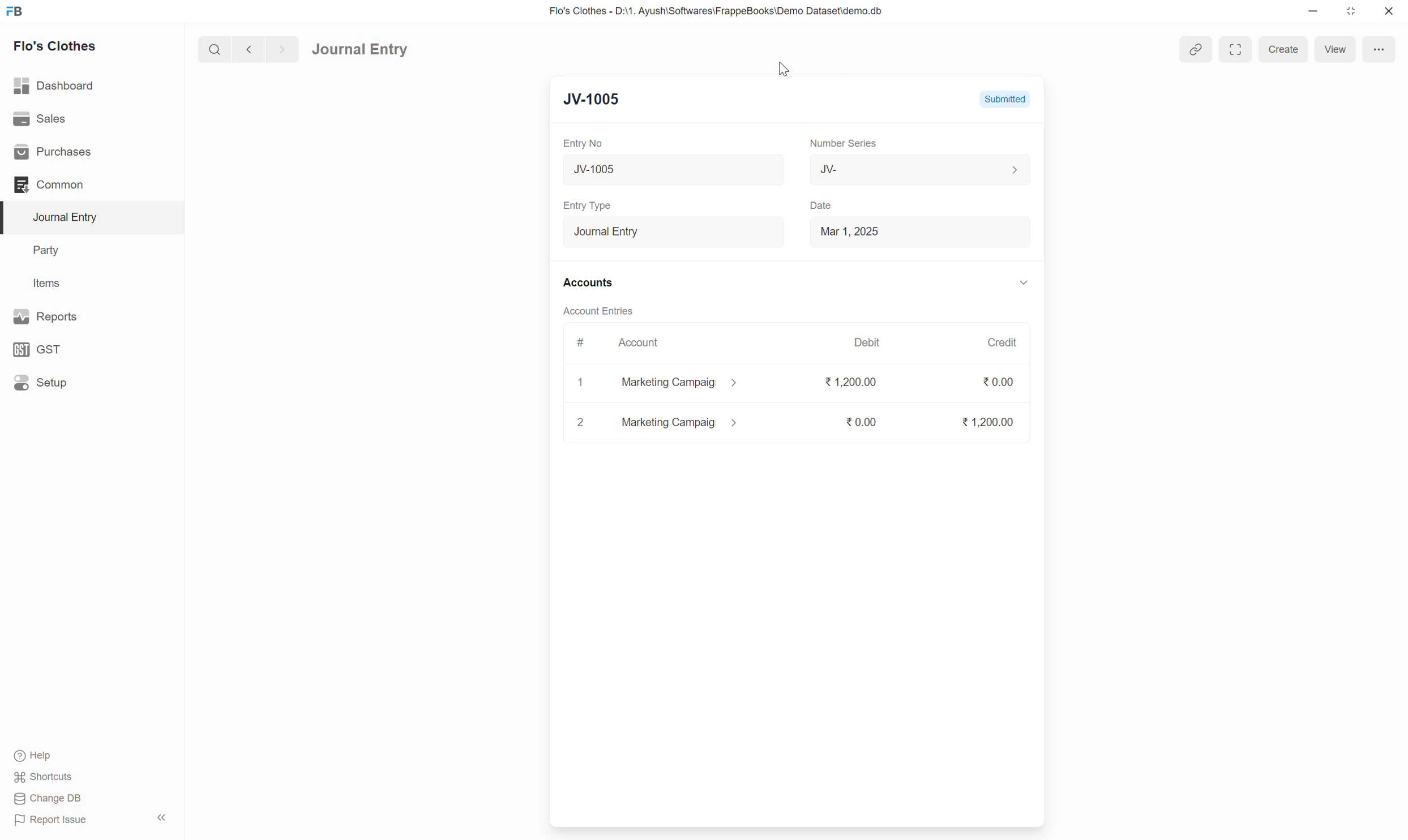 This screenshot has height=840, width=1408. I want to click on cursor, so click(784, 69).